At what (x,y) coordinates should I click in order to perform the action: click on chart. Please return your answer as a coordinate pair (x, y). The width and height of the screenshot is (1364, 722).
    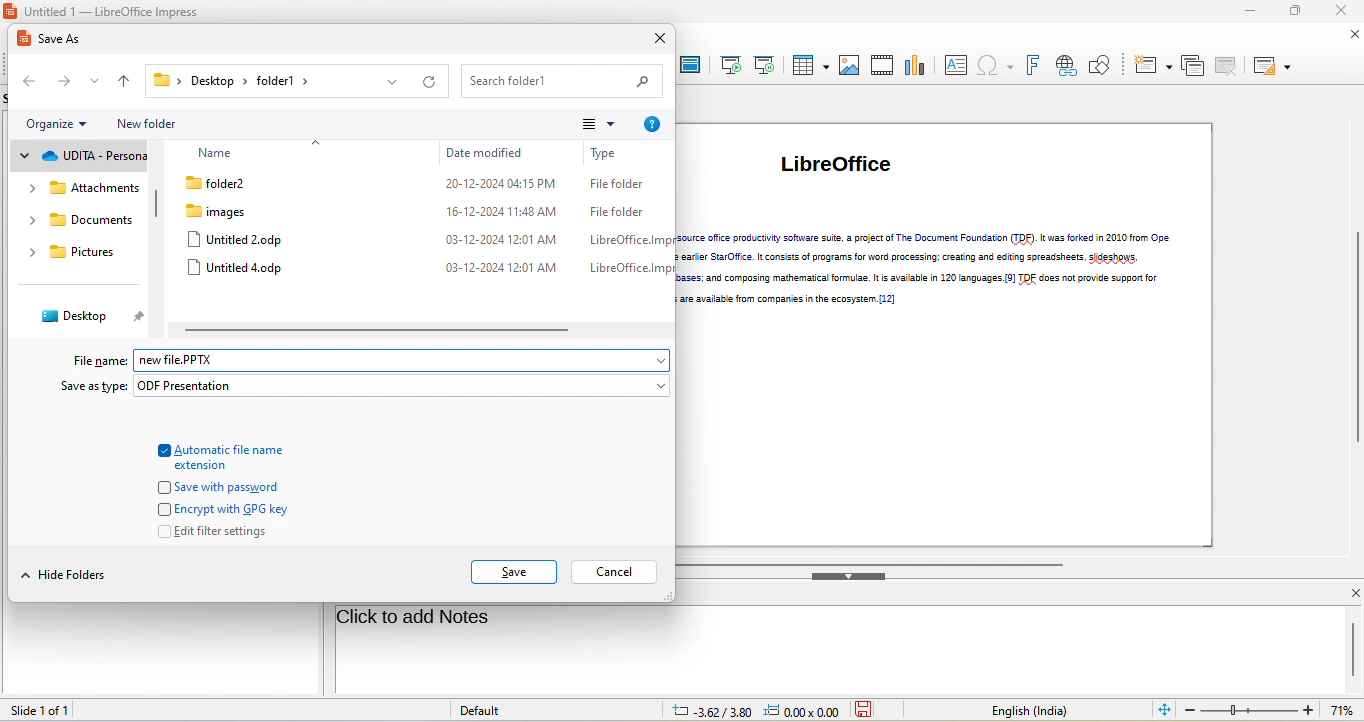
    Looking at the image, I should click on (914, 67).